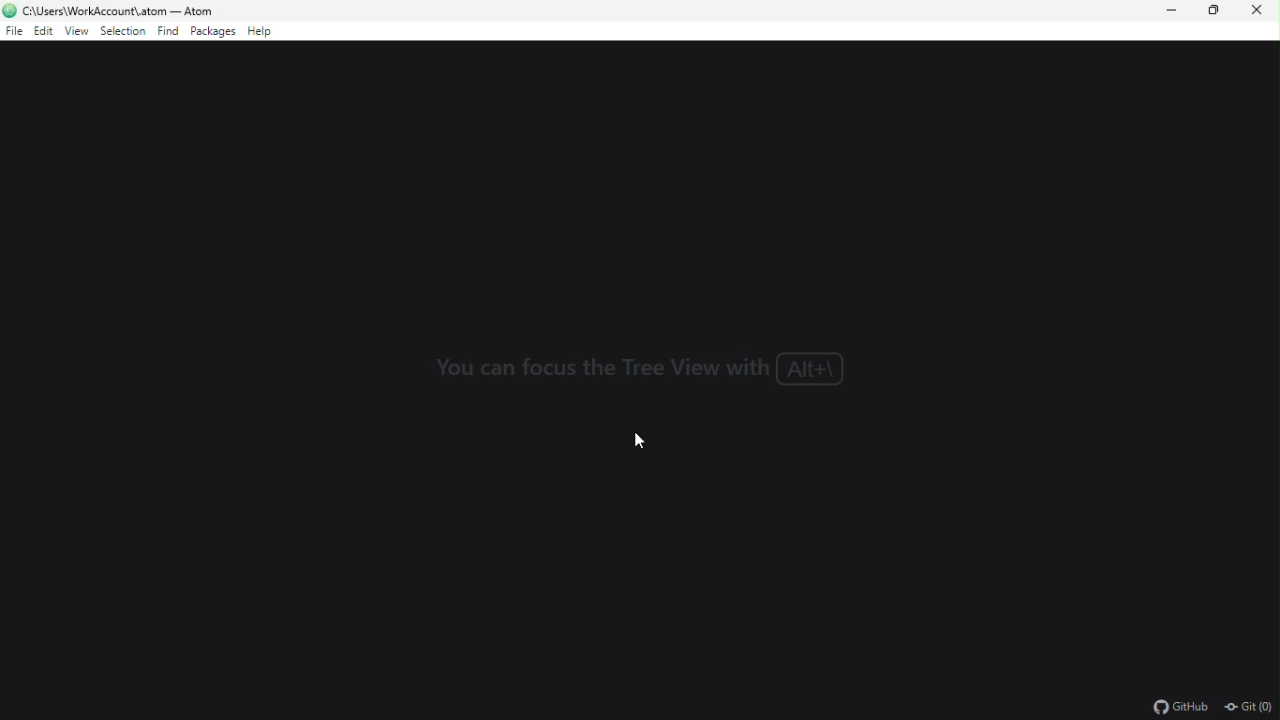  I want to click on view, so click(78, 33).